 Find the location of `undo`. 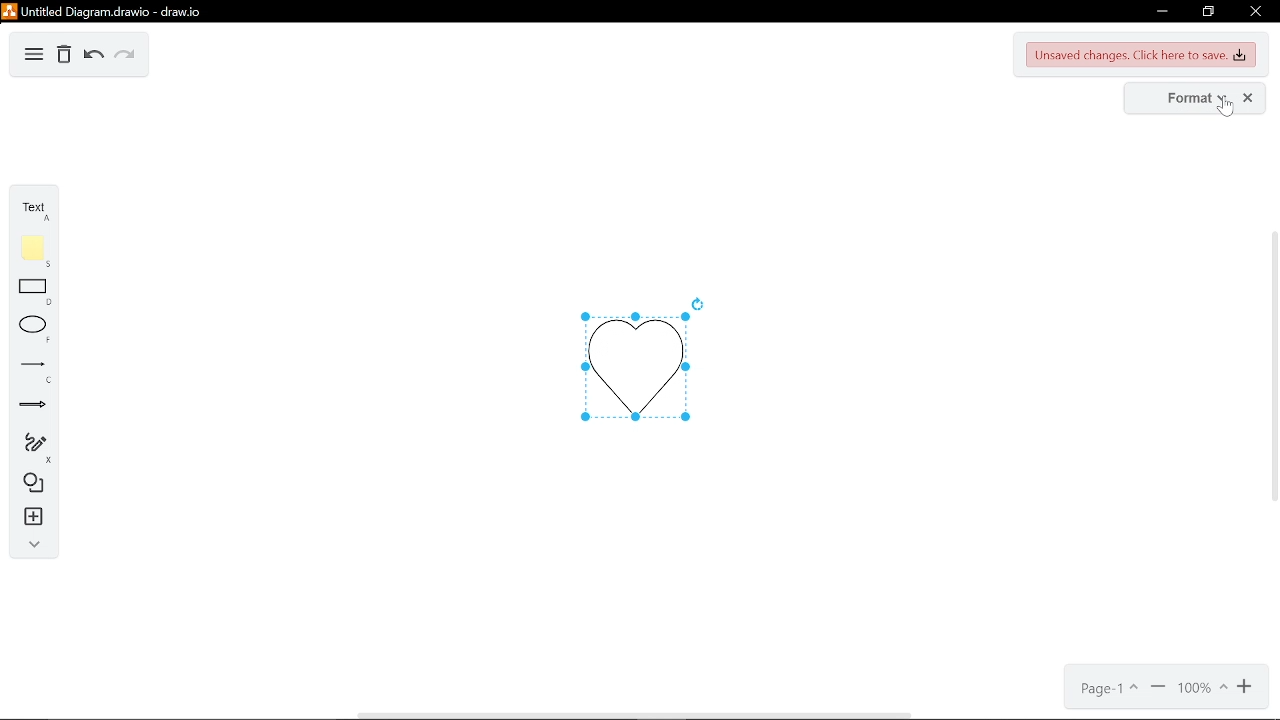

undo is located at coordinates (93, 57).